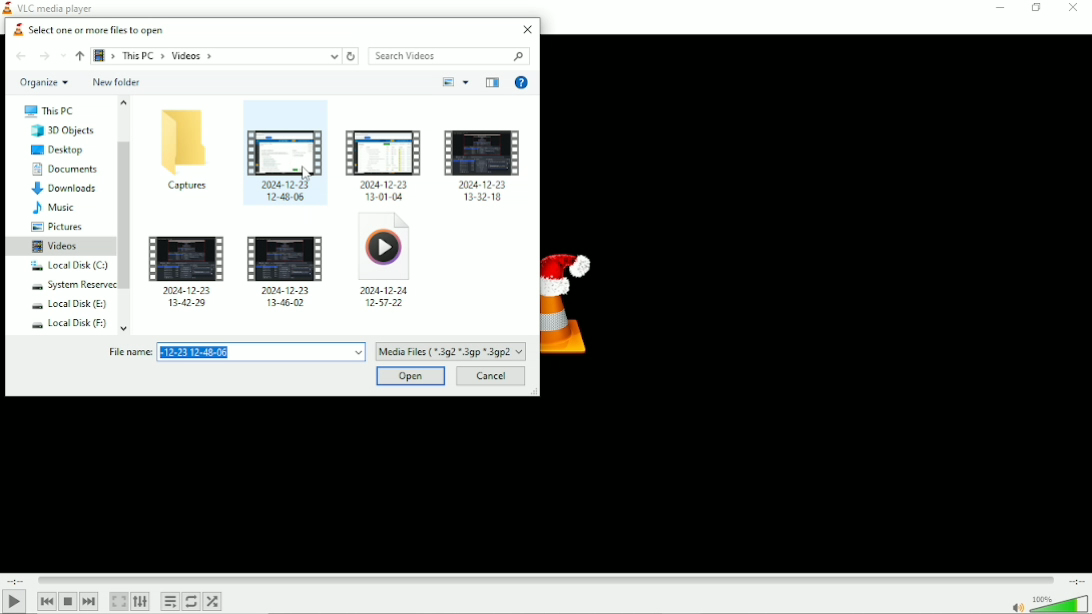 The image size is (1092, 614). What do you see at coordinates (43, 83) in the screenshot?
I see `Organize` at bounding box center [43, 83].